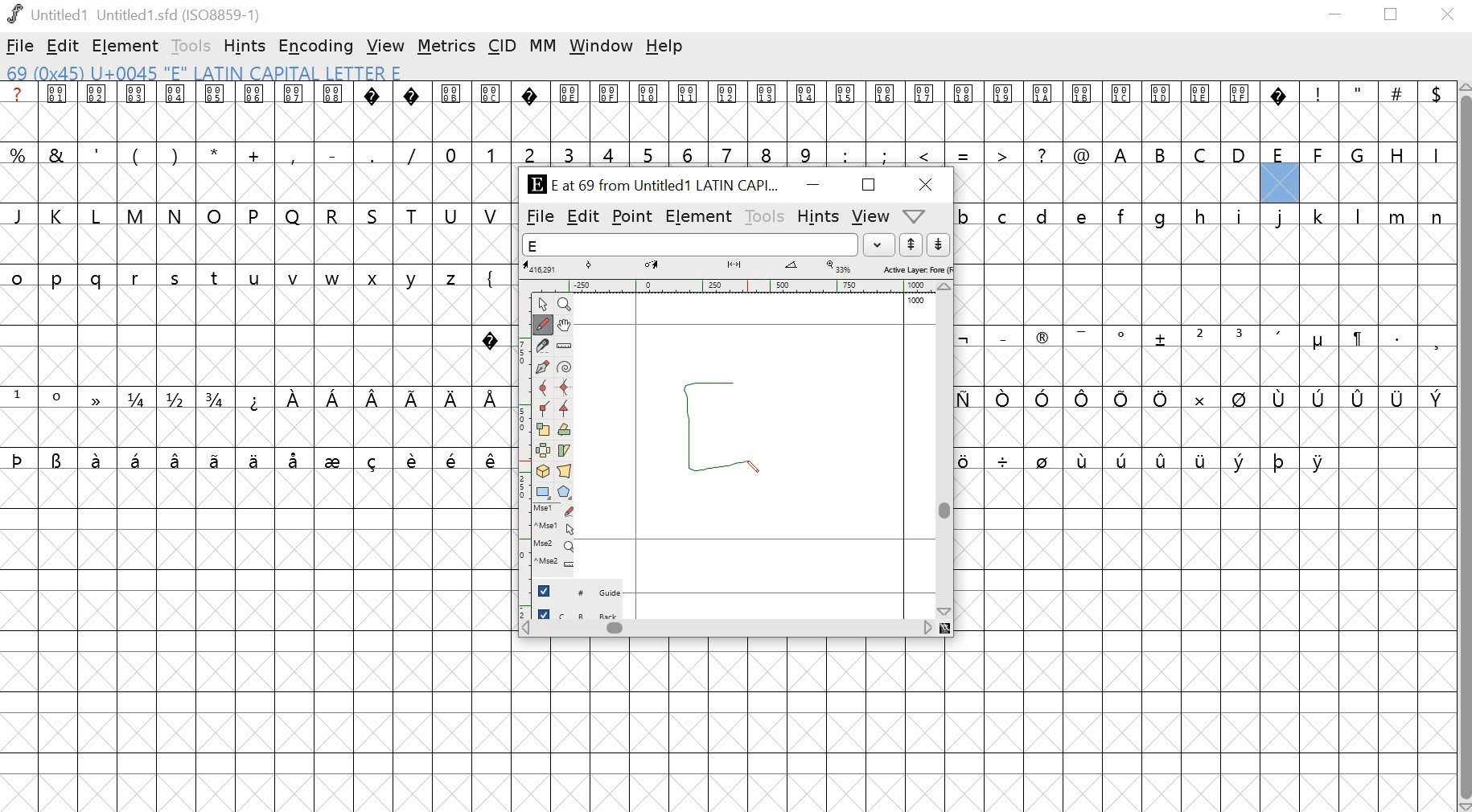 The height and width of the screenshot is (812, 1472). Describe the element at coordinates (928, 185) in the screenshot. I see `close` at that location.